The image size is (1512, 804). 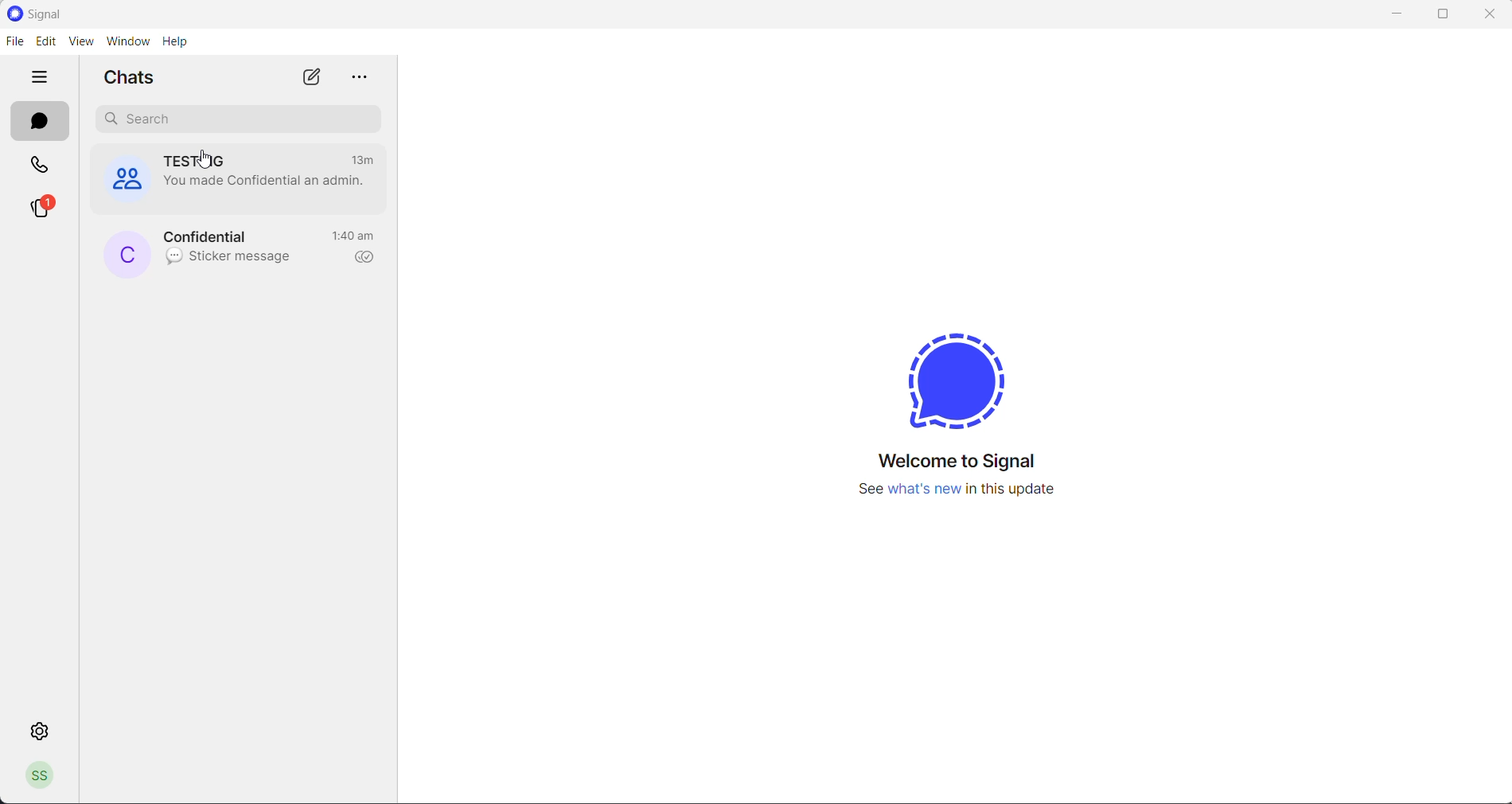 I want to click on hide tabs, so click(x=41, y=77).